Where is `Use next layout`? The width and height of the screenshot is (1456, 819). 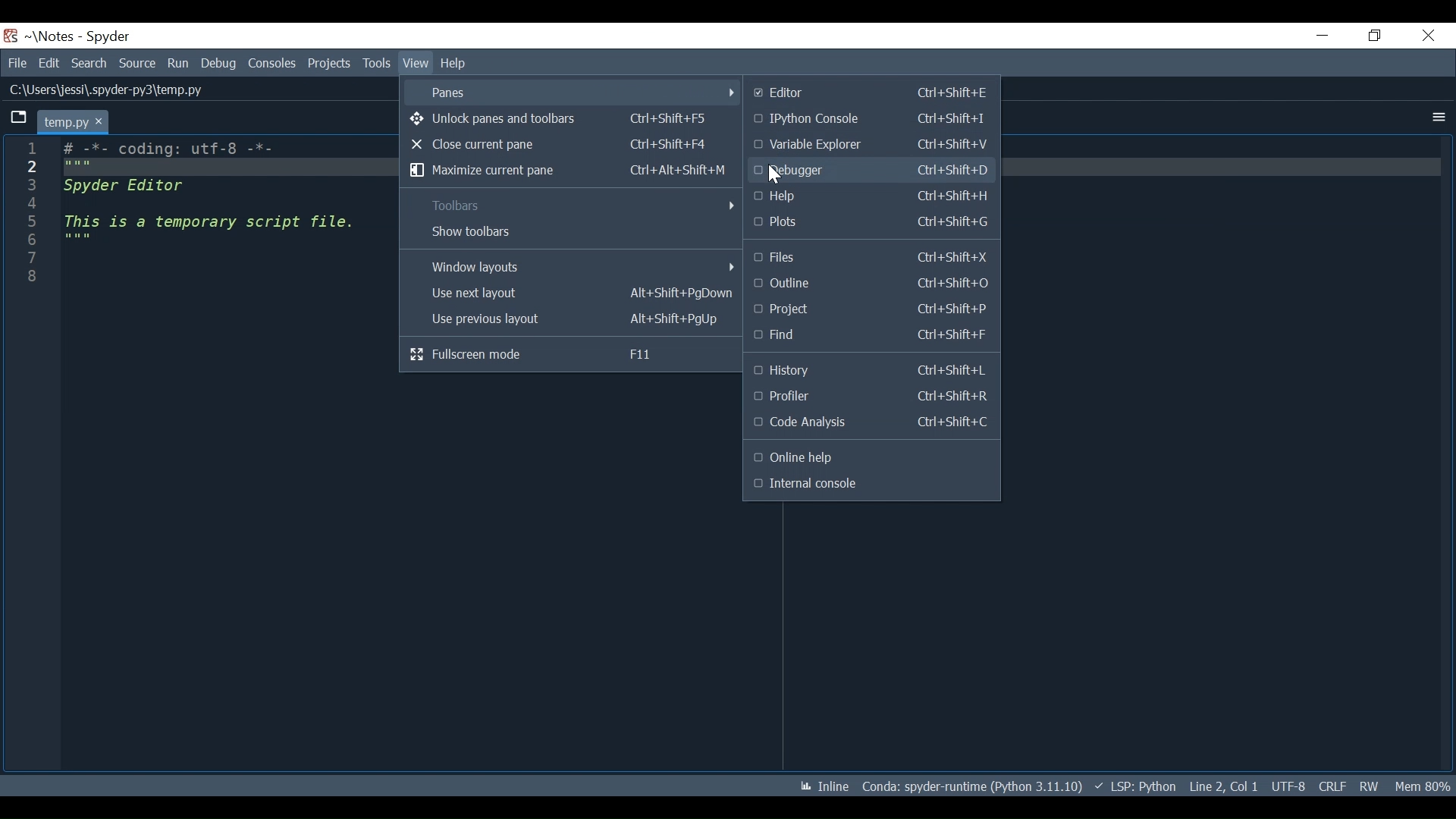
Use next layout is located at coordinates (574, 294).